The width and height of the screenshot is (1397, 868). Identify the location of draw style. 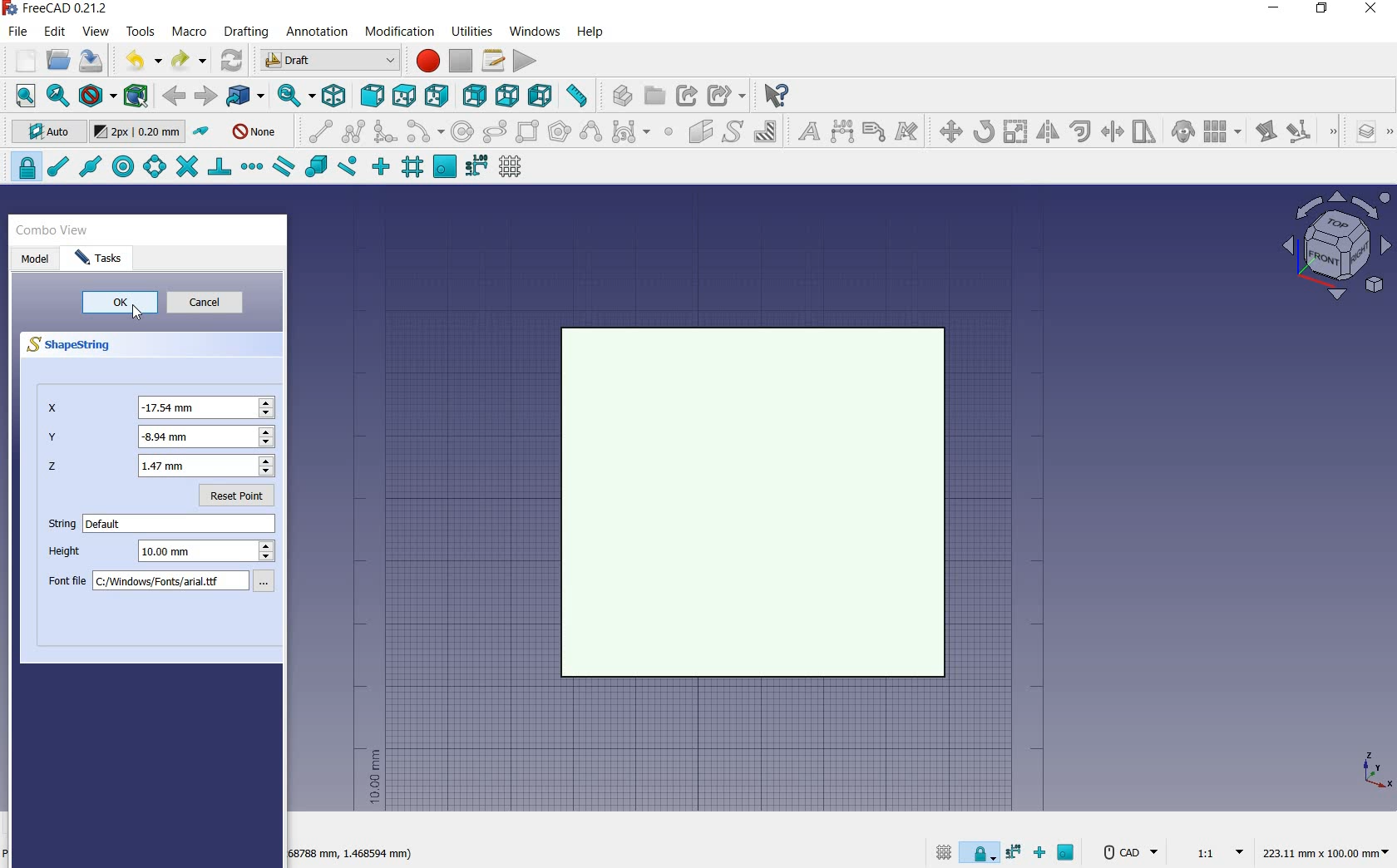
(97, 96).